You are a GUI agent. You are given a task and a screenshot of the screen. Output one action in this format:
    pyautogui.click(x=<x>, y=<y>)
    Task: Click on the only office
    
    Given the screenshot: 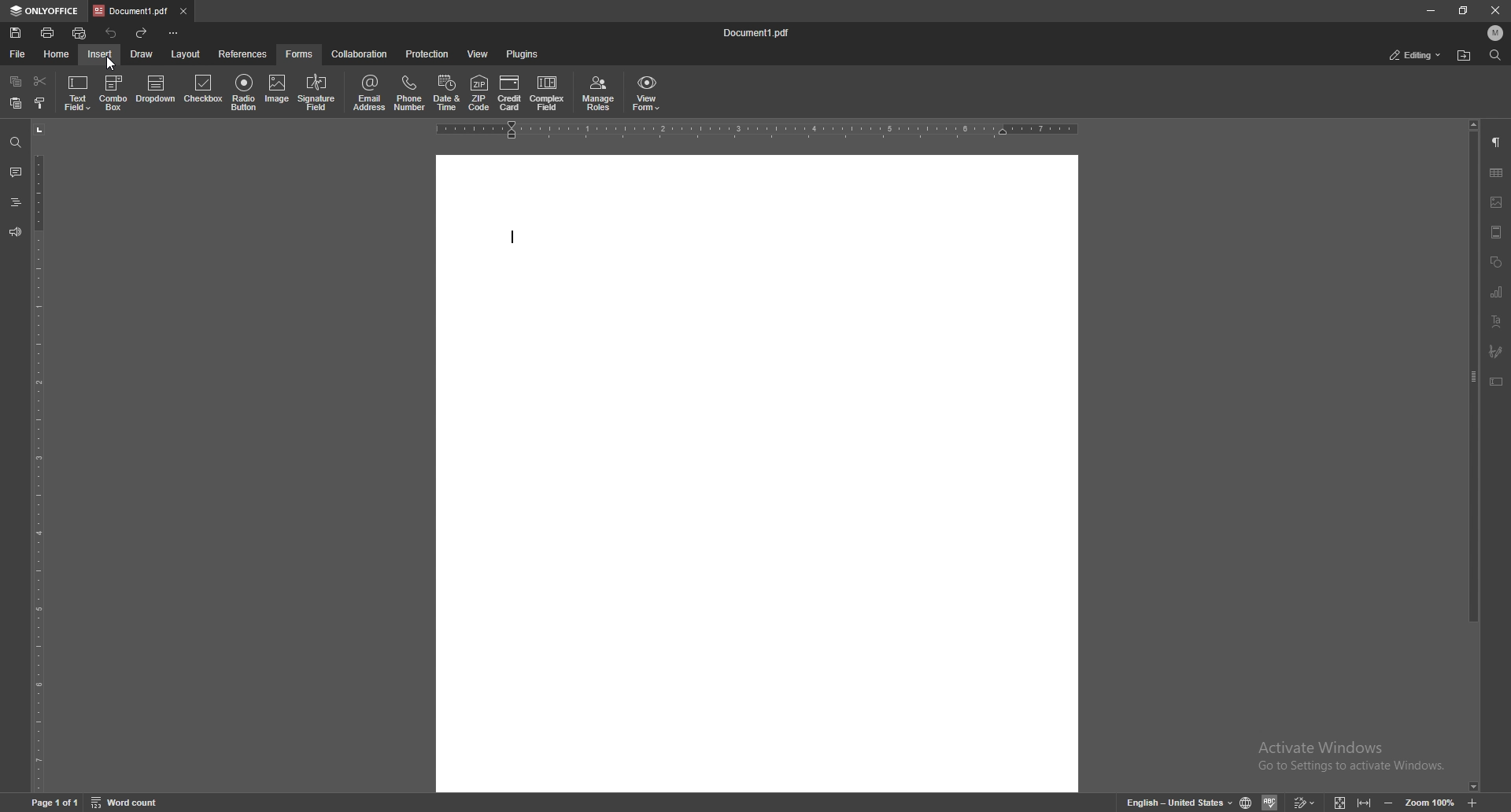 What is the action you would take?
    pyautogui.click(x=46, y=11)
    